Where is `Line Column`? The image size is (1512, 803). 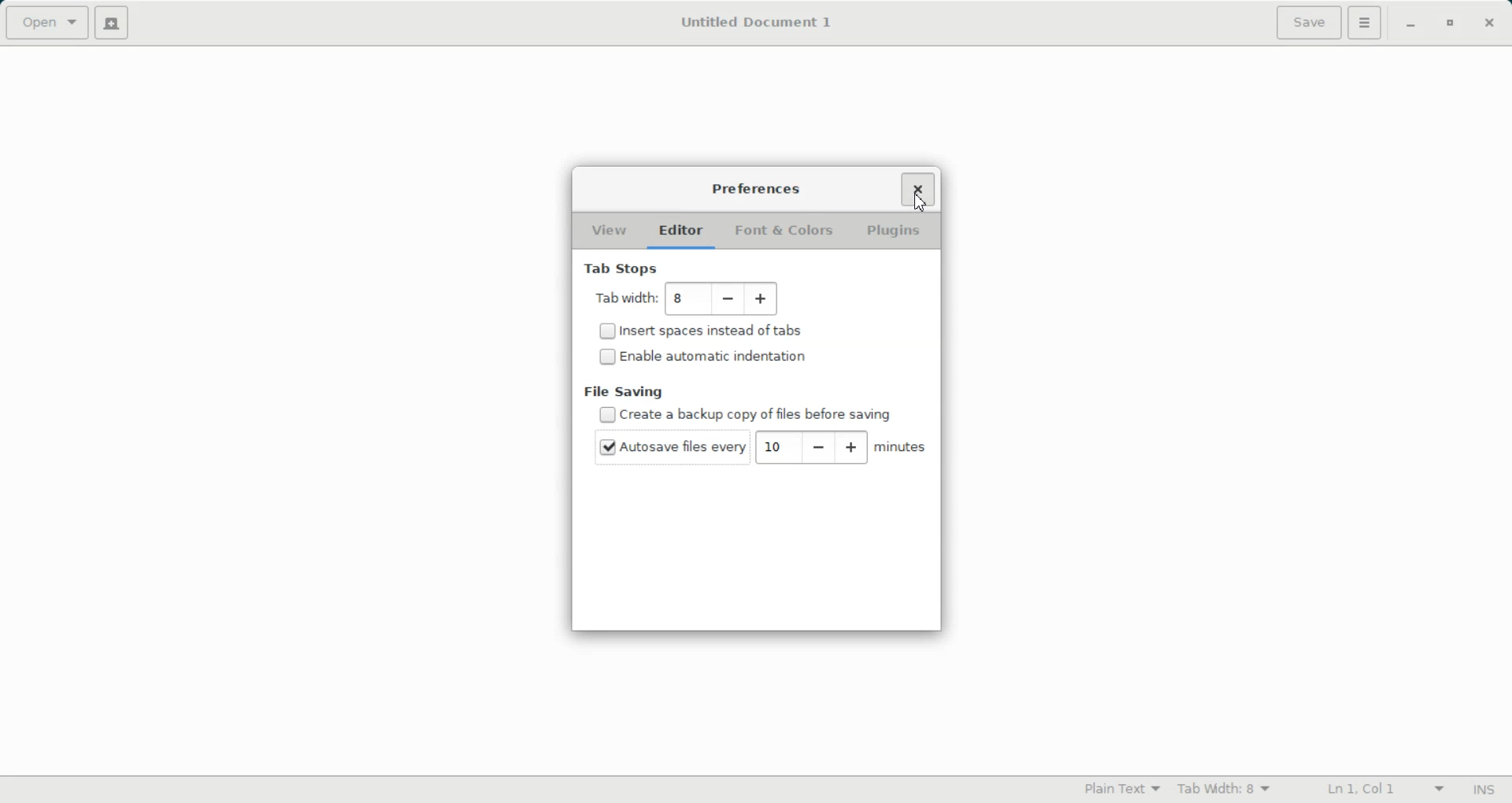
Line Column is located at coordinates (1381, 790).